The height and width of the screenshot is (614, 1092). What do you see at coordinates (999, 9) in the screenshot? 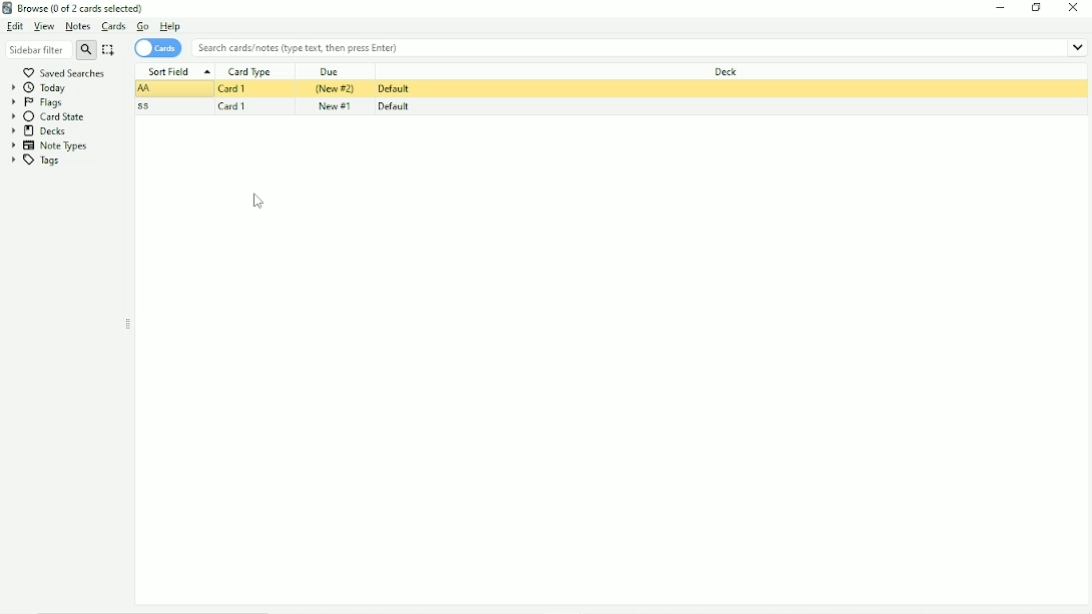
I see `Minimize` at bounding box center [999, 9].